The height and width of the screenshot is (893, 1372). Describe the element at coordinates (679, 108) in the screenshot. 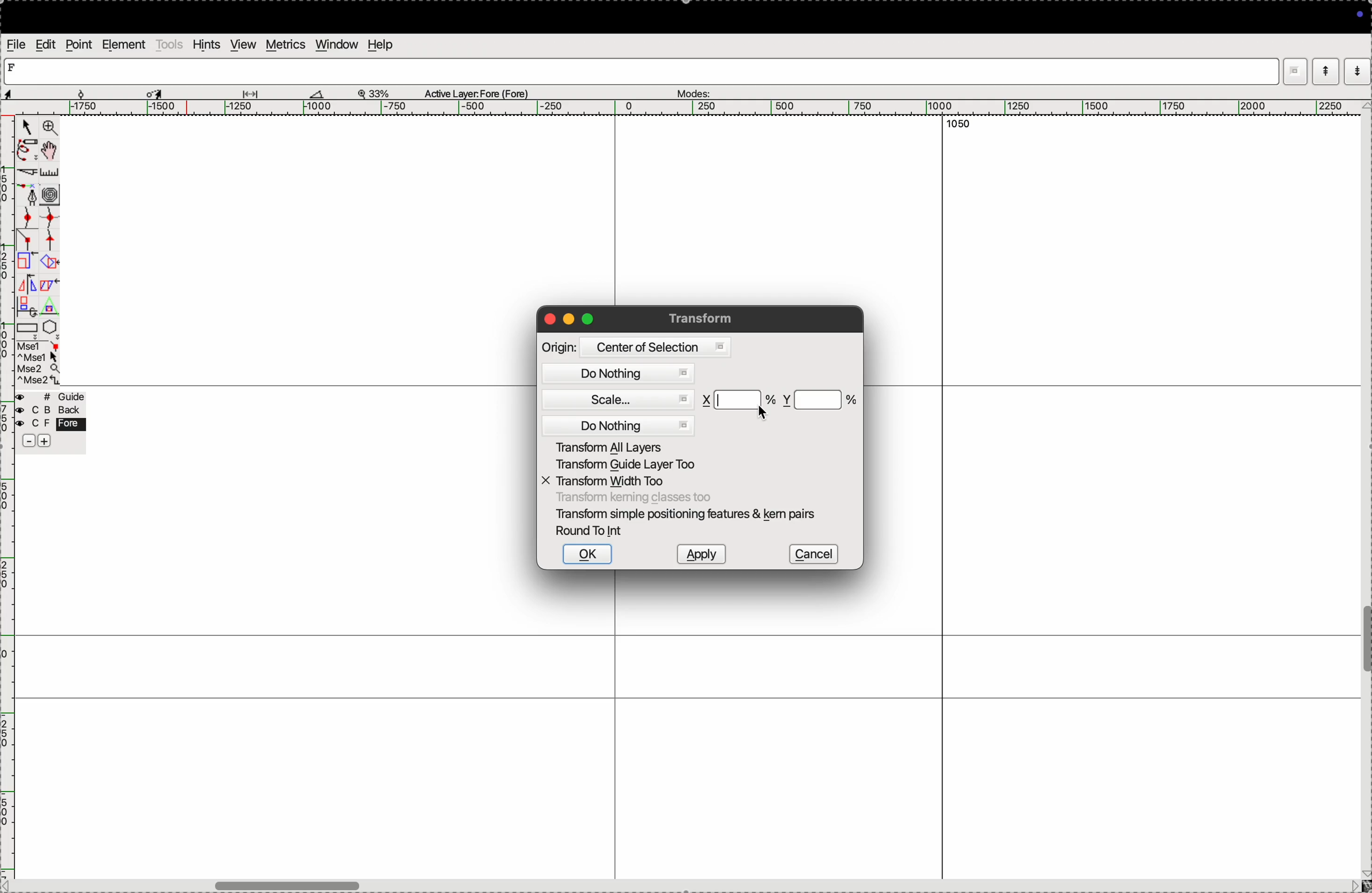

I see `horizontal scale` at that location.